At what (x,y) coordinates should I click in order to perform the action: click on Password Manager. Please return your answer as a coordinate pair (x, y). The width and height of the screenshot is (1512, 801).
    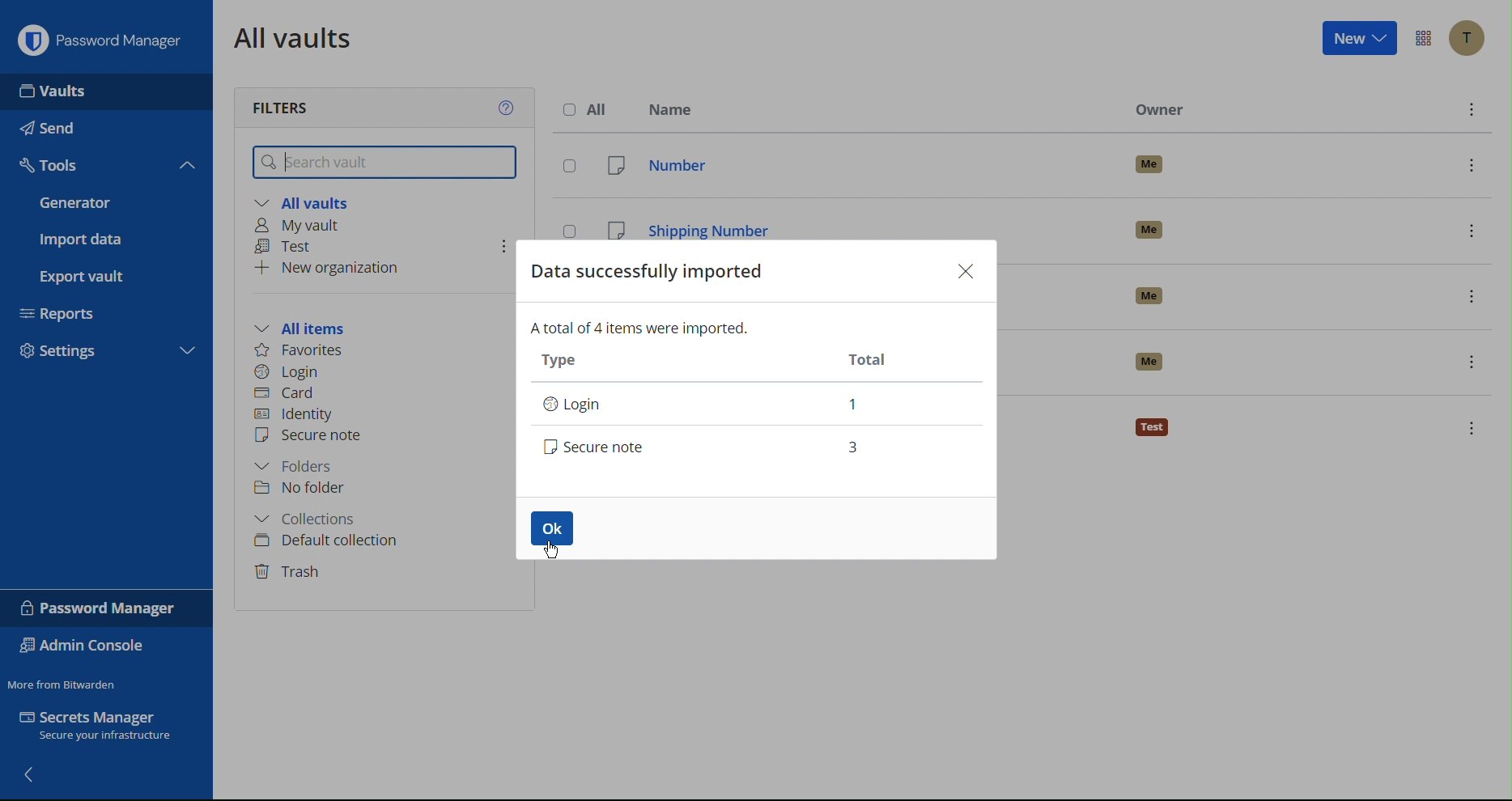
    Looking at the image, I should click on (100, 608).